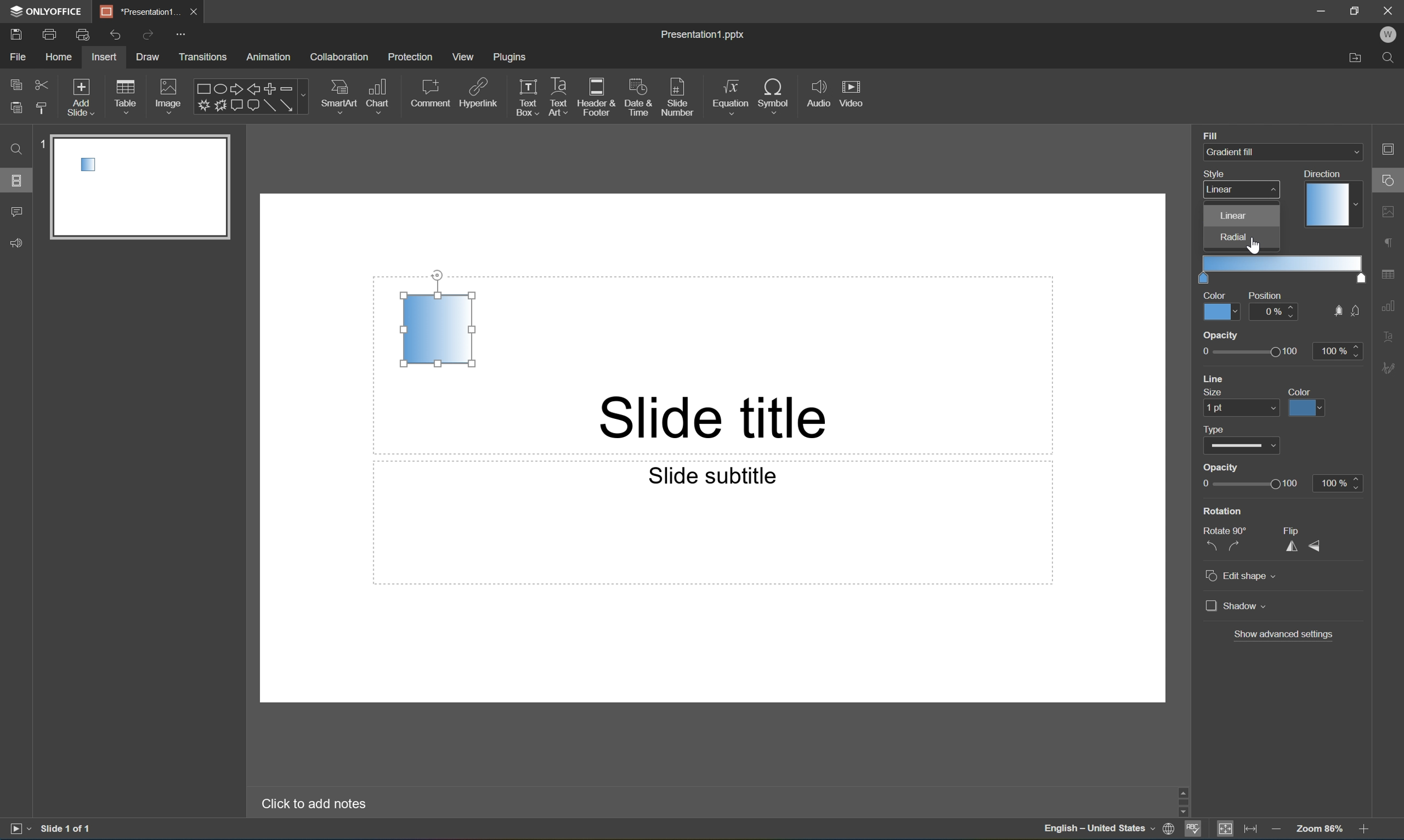 This screenshot has height=840, width=1404. What do you see at coordinates (1193, 830) in the screenshot?
I see `Spell checking` at bounding box center [1193, 830].